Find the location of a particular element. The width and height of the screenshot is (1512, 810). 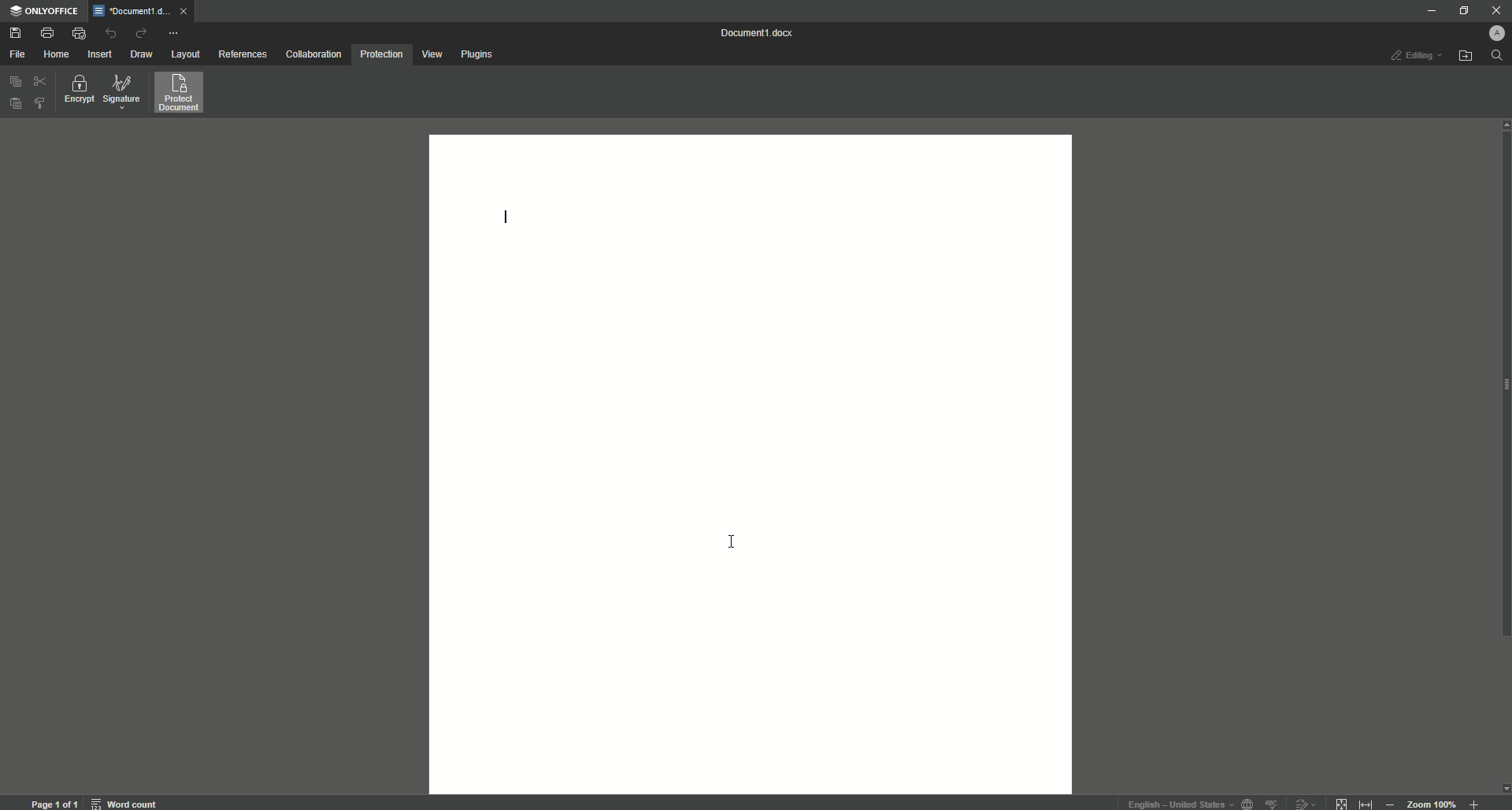

Protect document is located at coordinates (181, 94).